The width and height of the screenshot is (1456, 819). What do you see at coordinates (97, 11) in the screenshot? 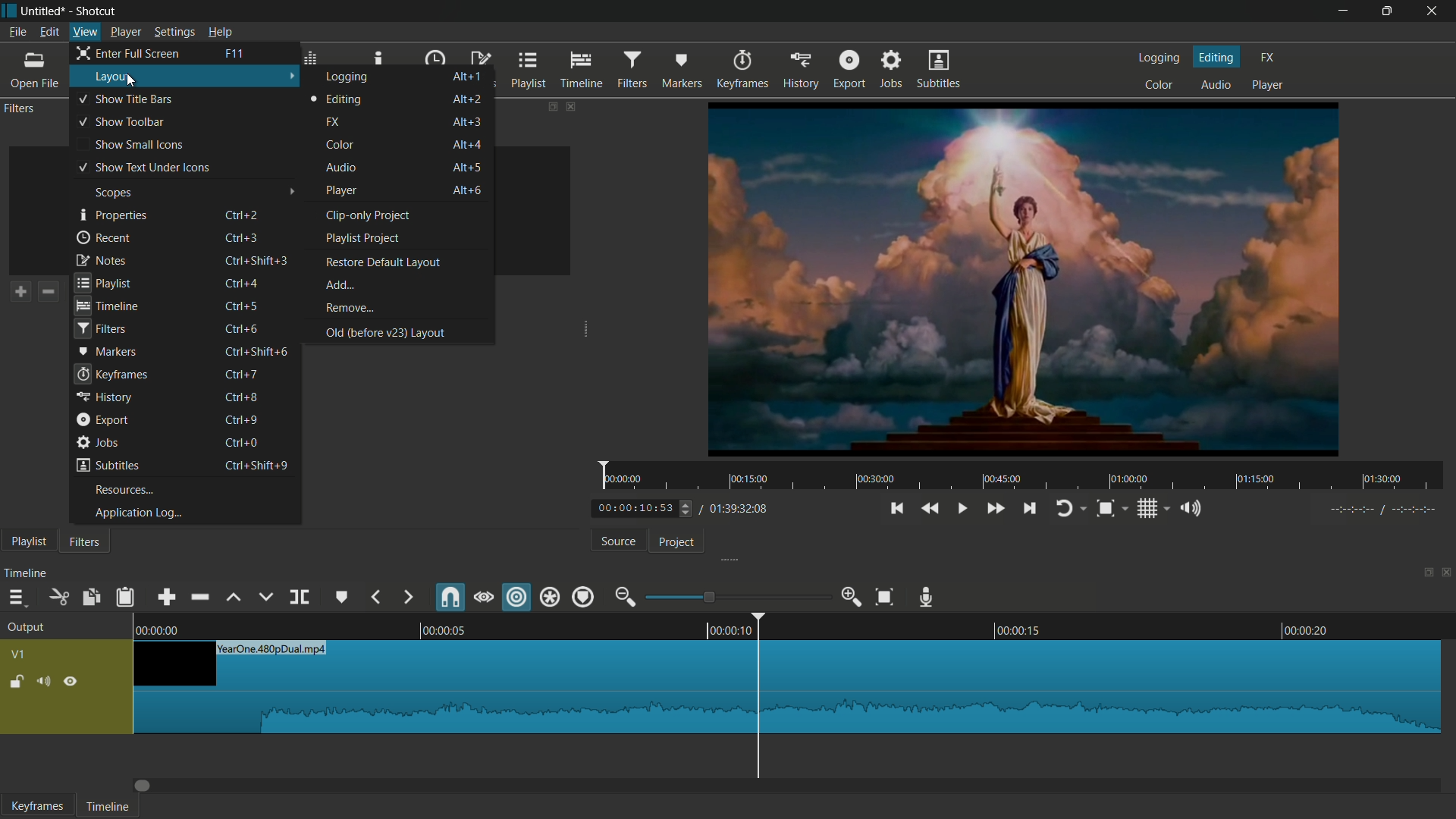
I see `app name` at bounding box center [97, 11].